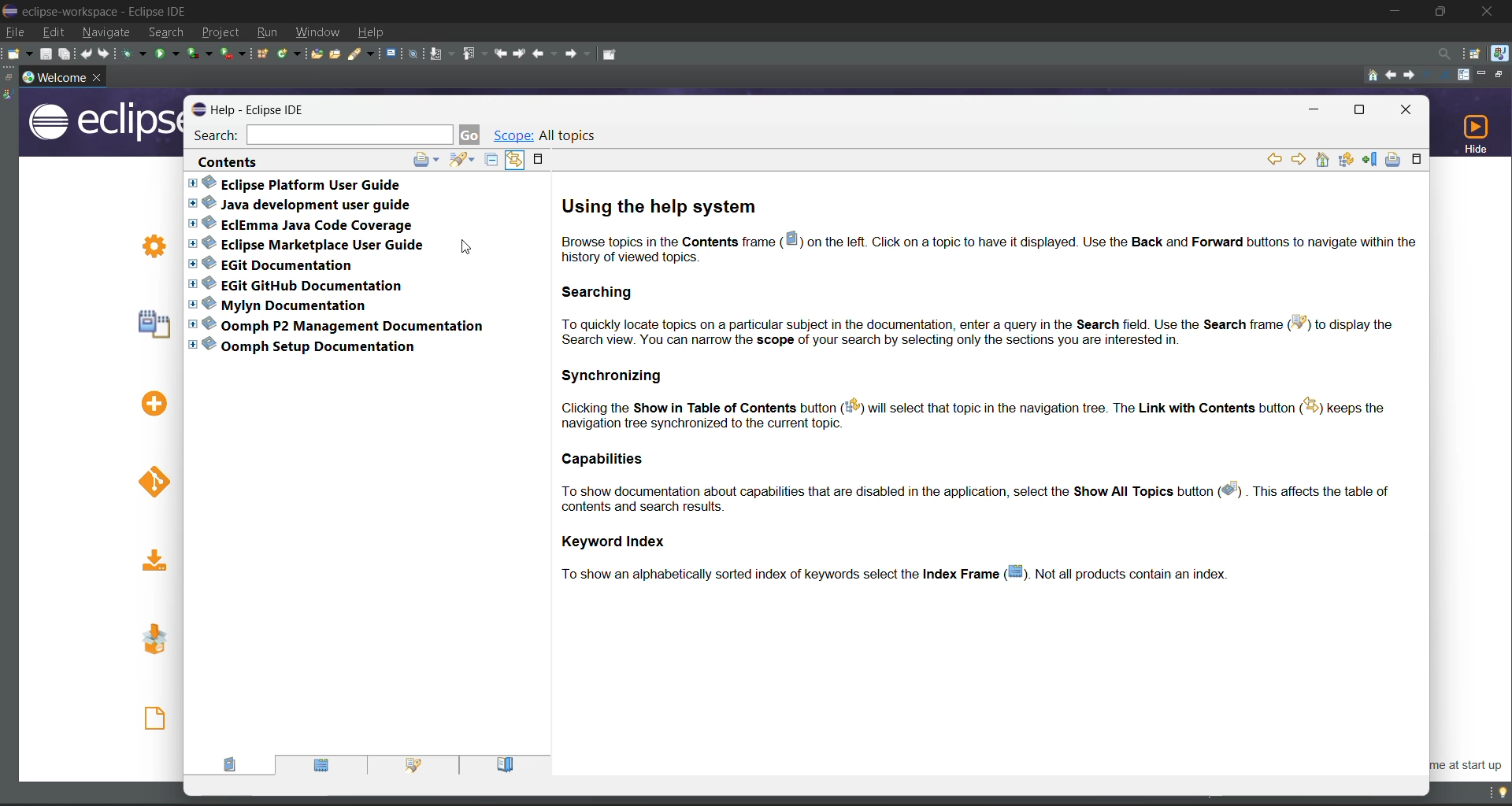 The width and height of the screenshot is (1512, 806). Describe the element at coordinates (1489, 12) in the screenshot. I see `close` at that location.